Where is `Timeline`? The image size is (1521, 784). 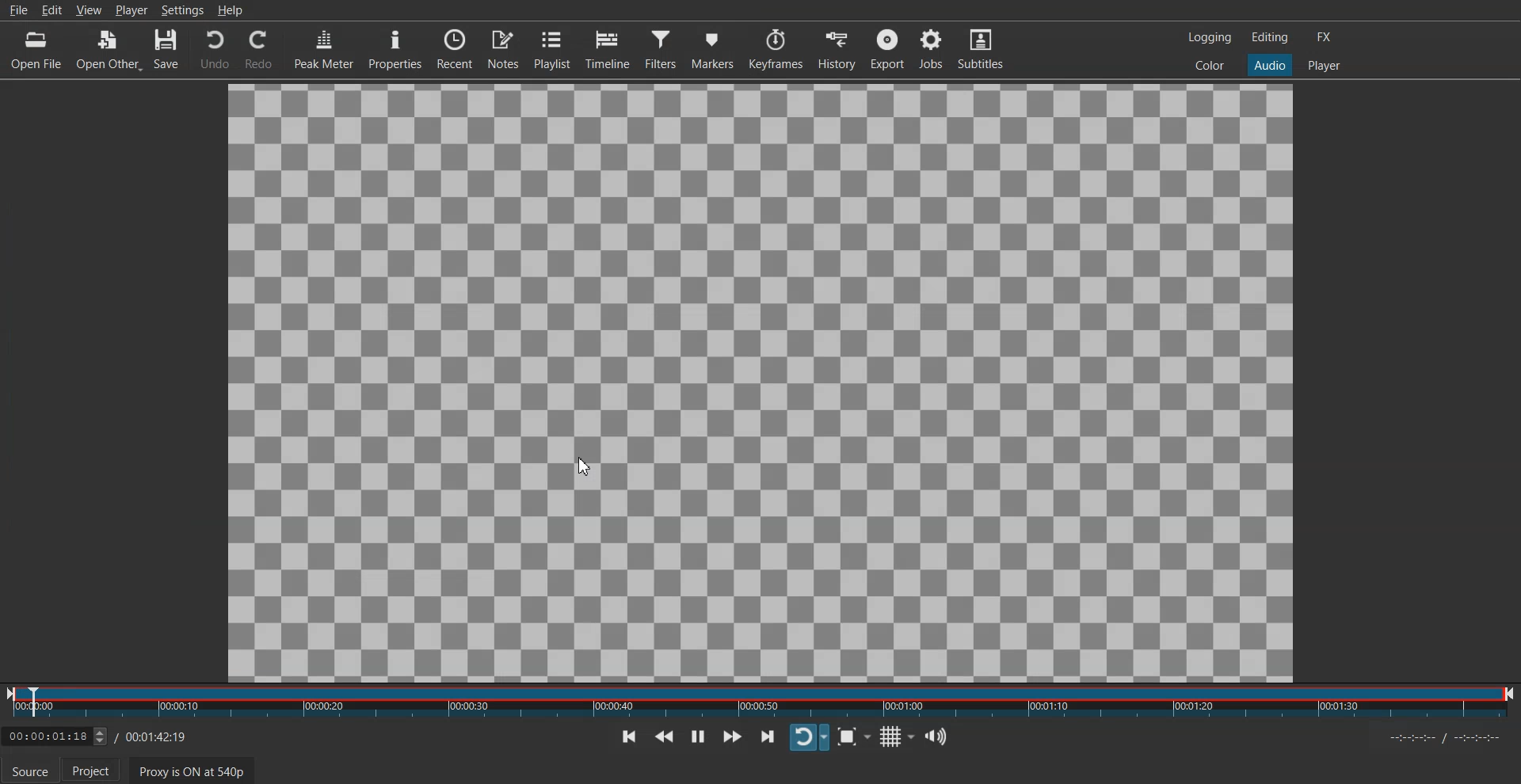
Timeline is located at coordinates (607, 49).